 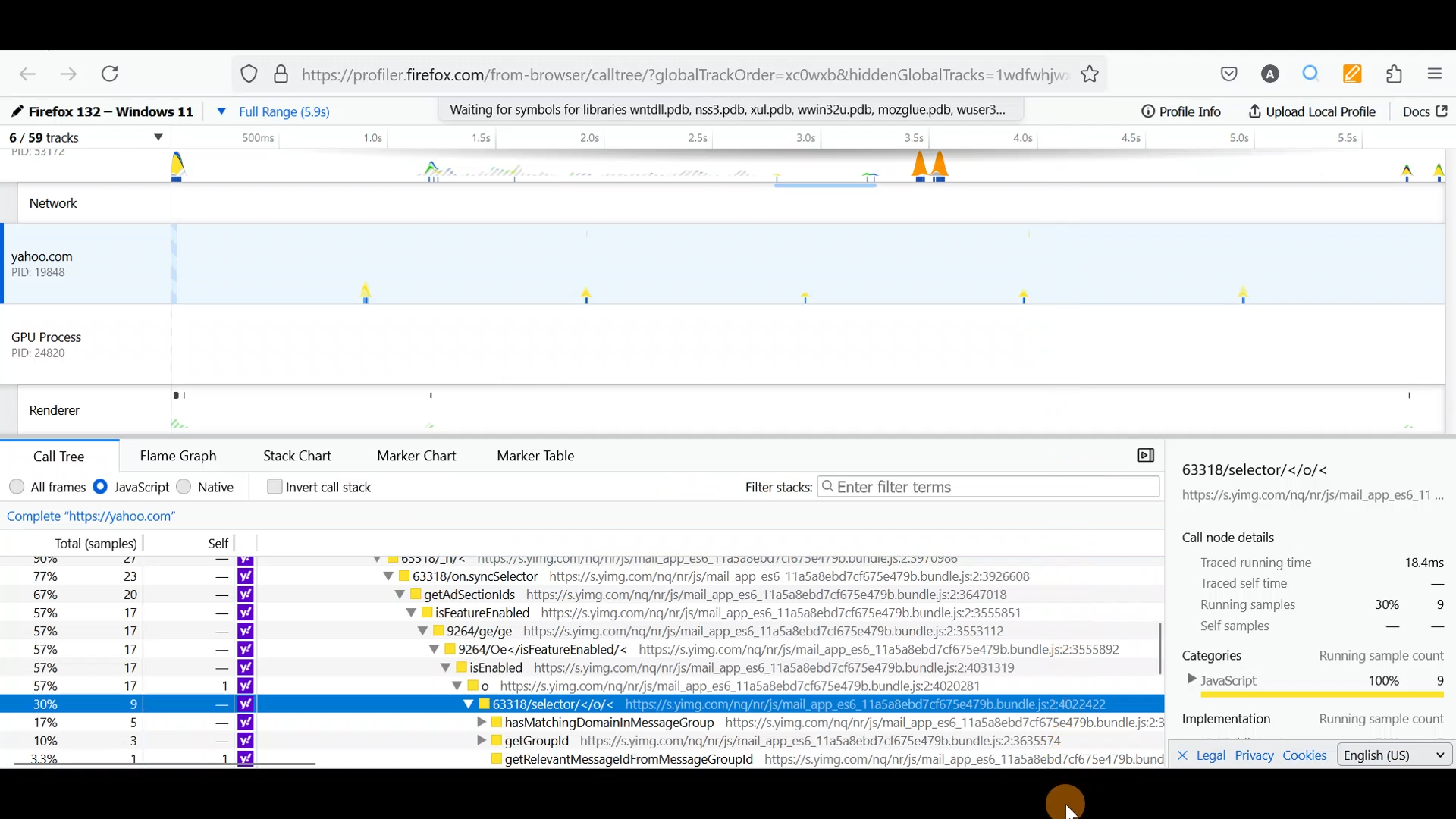 I want to click on Other bookmarks, so click(x=1386, y=115).